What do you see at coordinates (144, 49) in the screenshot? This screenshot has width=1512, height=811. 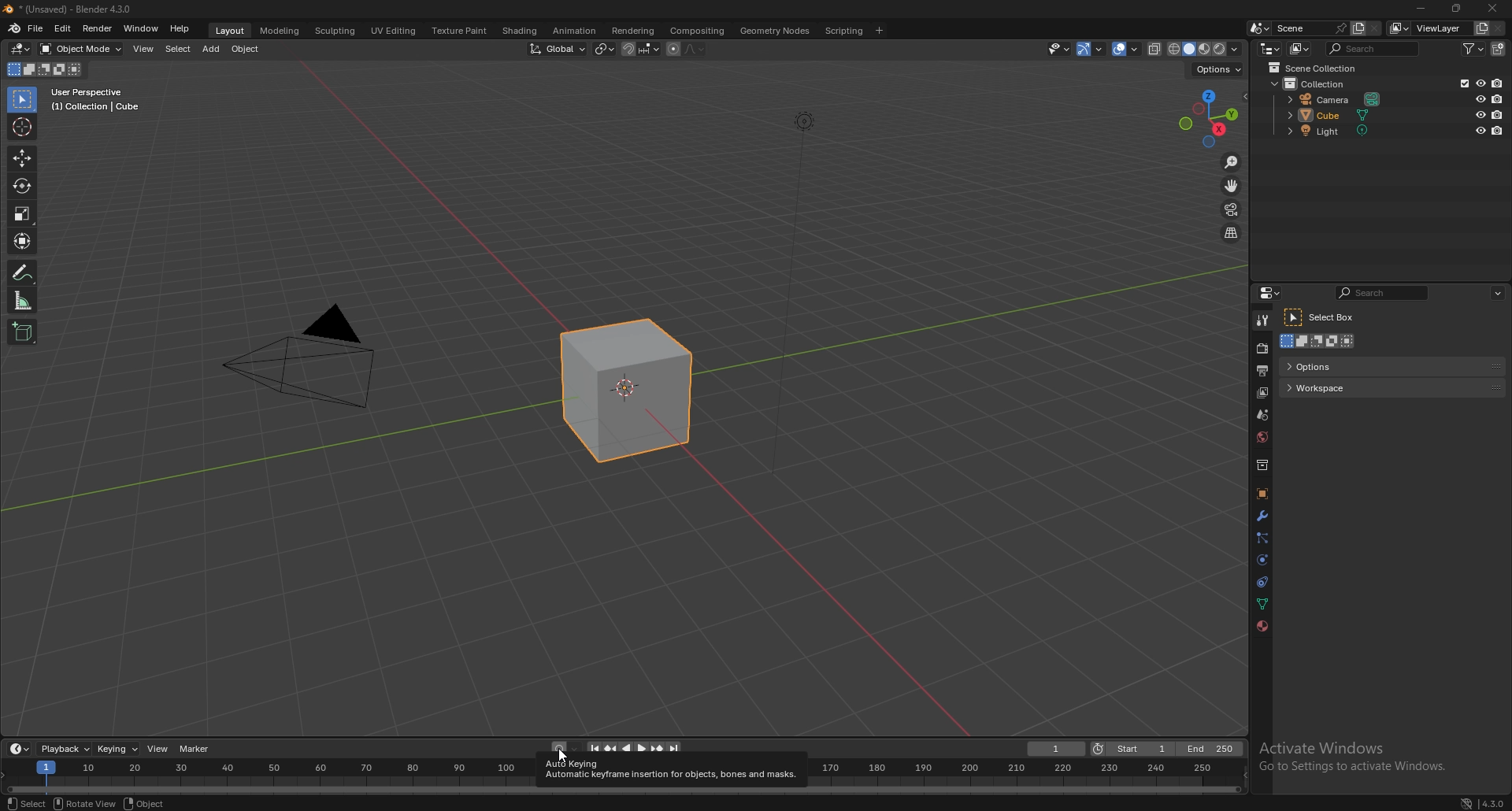 I see `view` at bounding box center [144, 49].